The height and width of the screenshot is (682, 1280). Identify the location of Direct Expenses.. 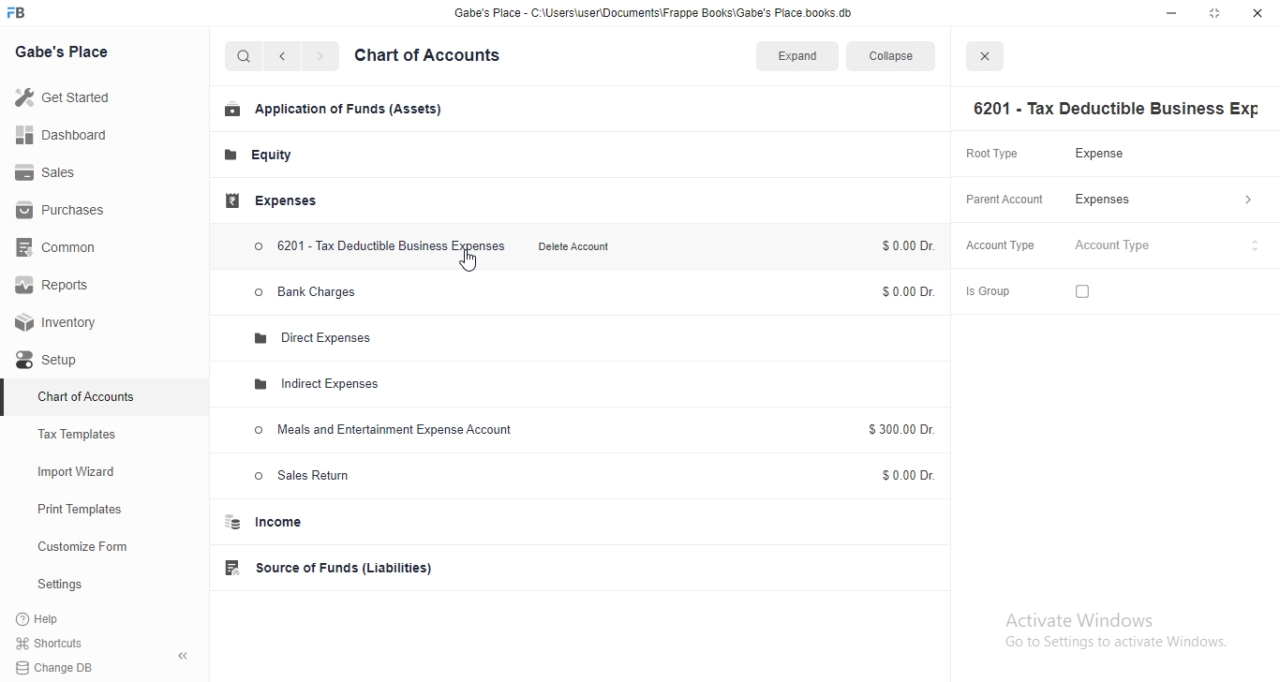
(326, 338).